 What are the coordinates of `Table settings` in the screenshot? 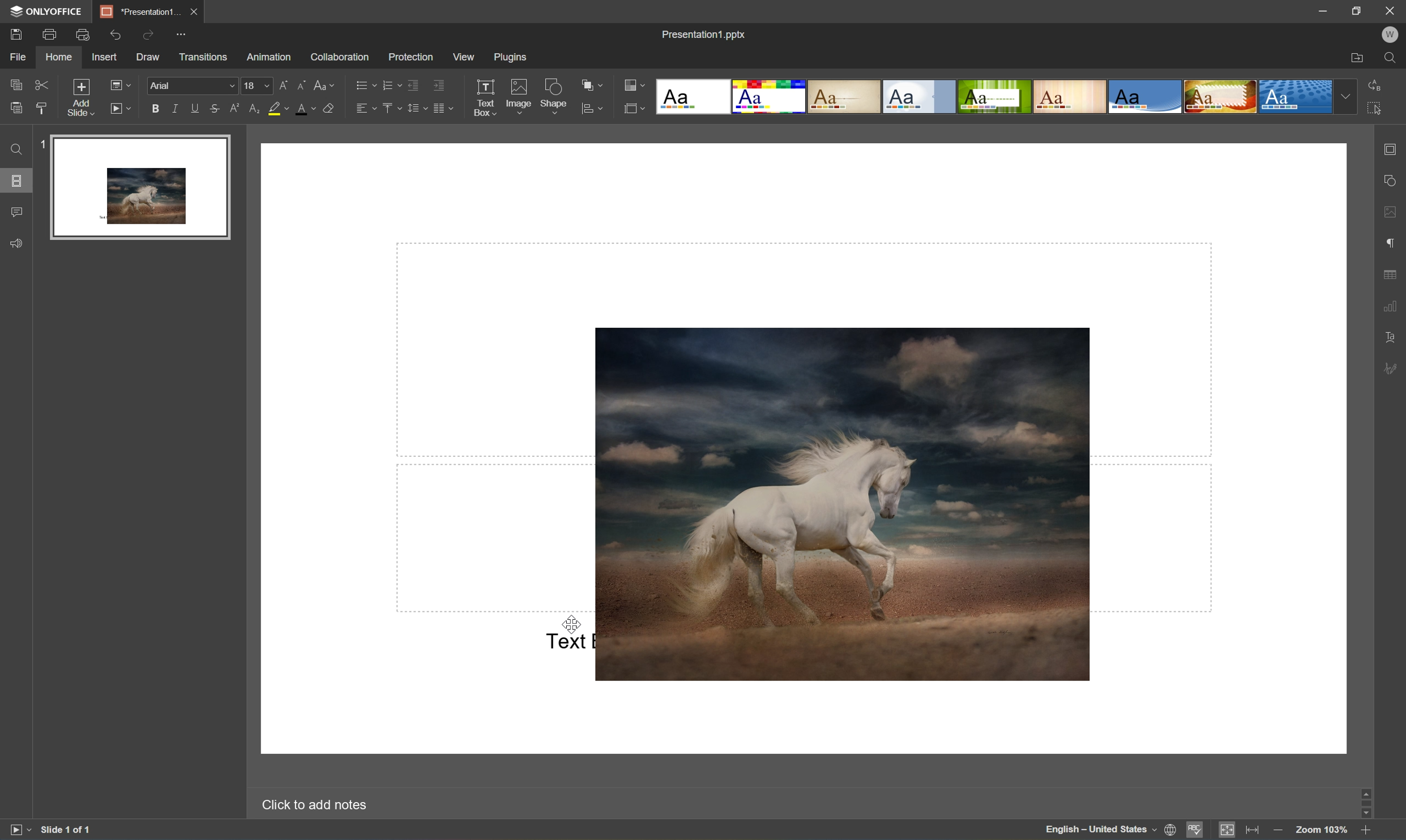 It's located at (1393, 277).